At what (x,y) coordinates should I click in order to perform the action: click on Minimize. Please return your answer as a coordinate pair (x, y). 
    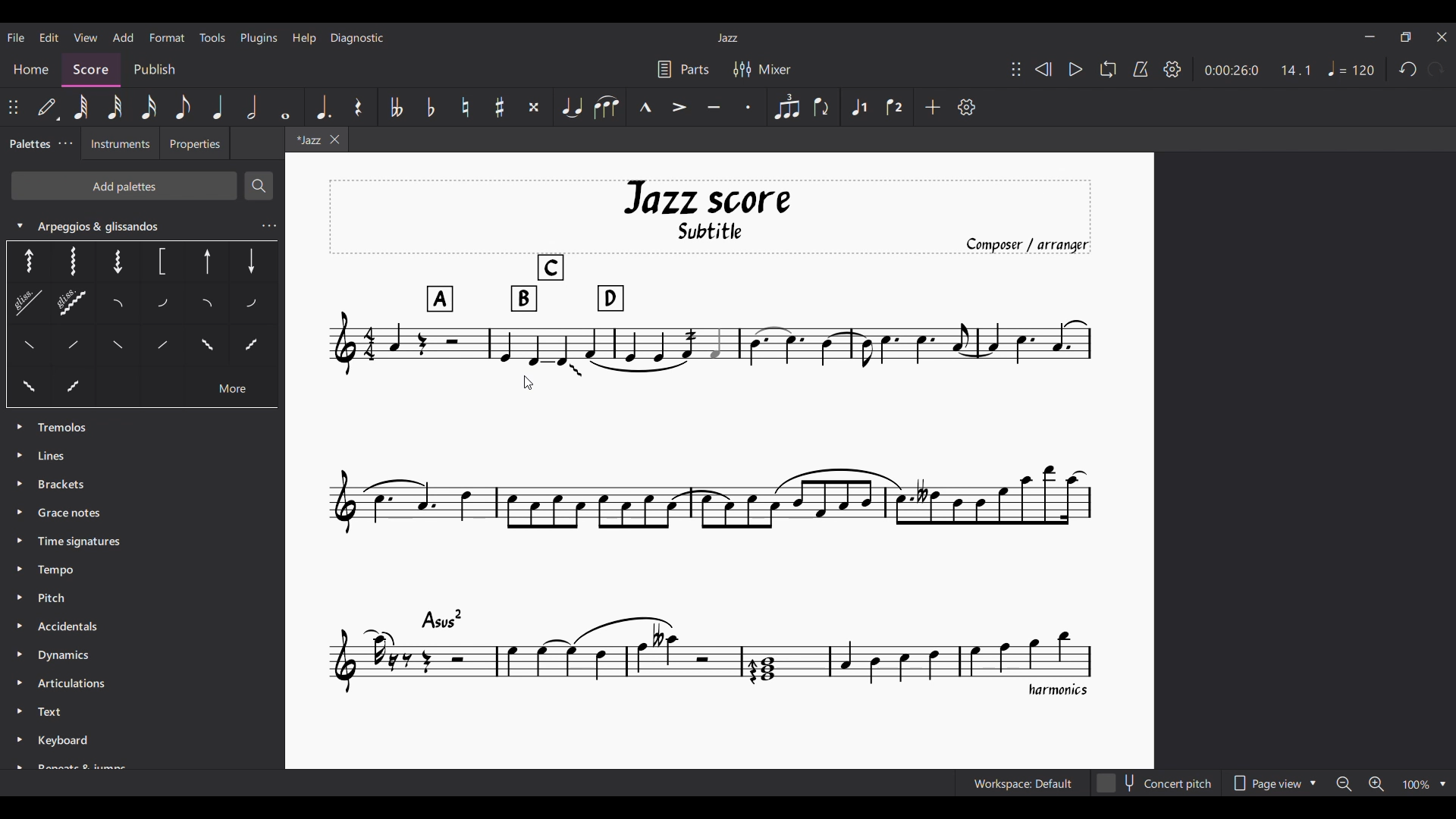
    Looking at the image, I should click on (1370, 36).